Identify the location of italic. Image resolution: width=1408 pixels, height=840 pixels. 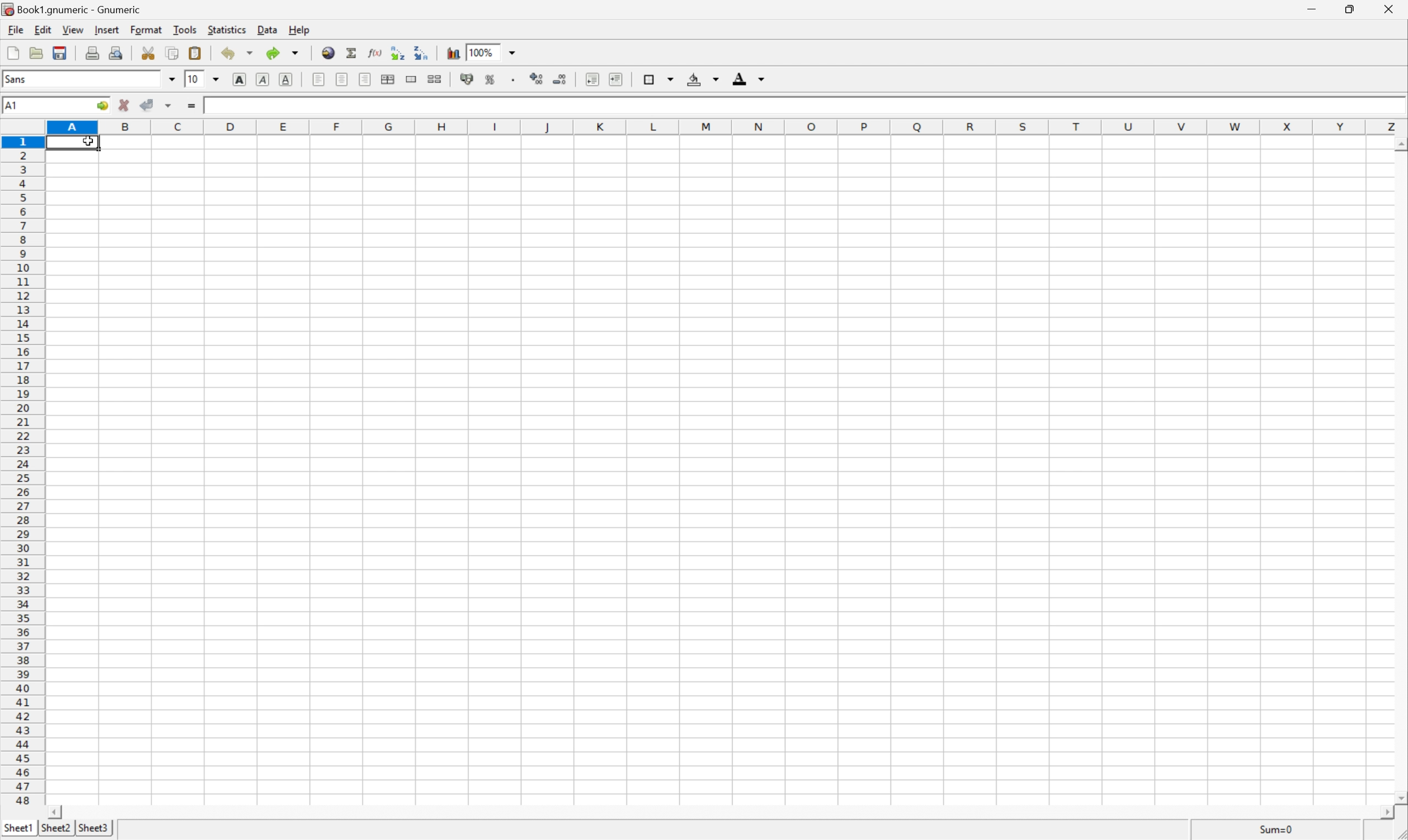
(263, 80).